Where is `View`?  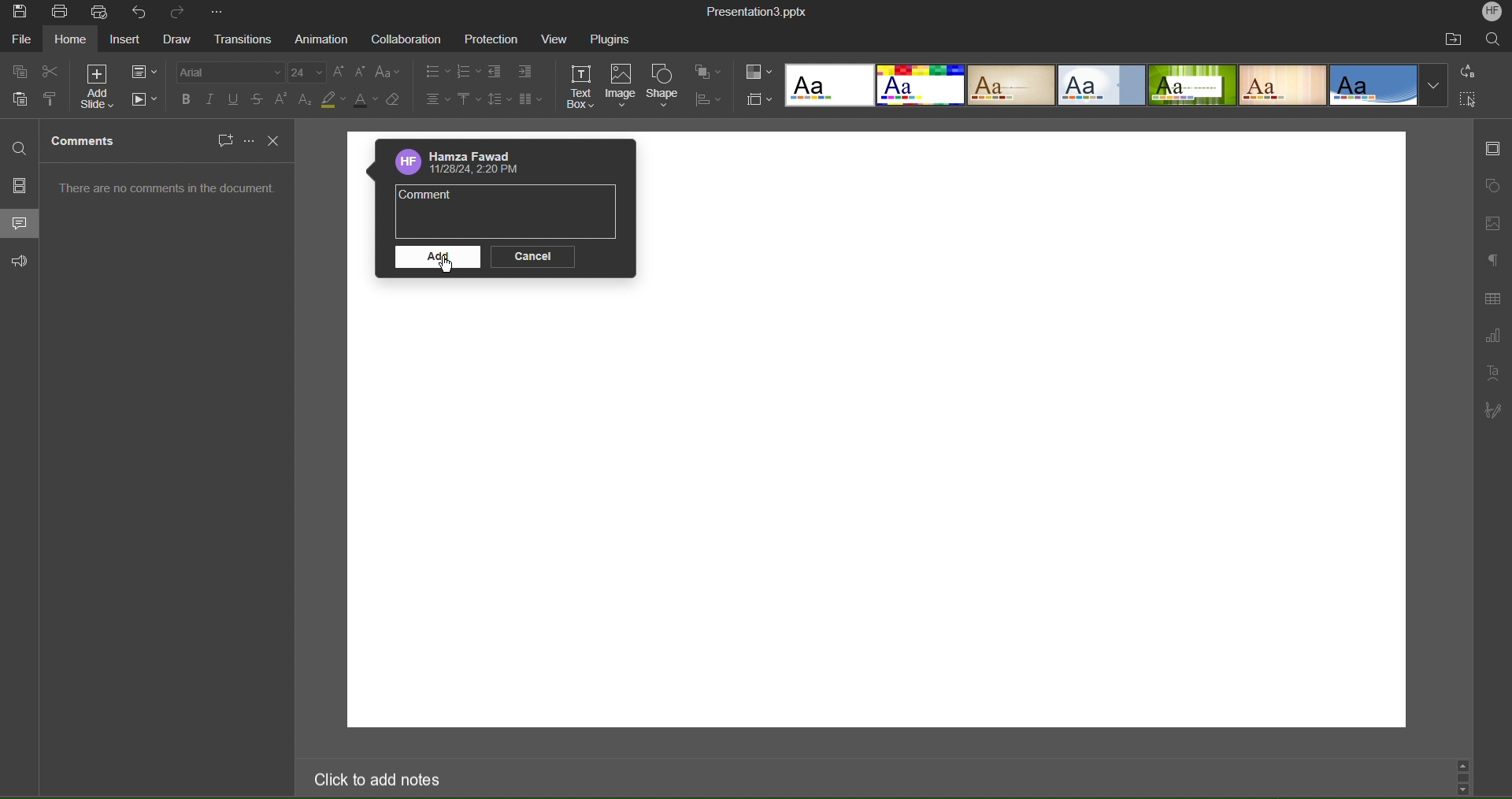
View is located at coordinates (558, 39).